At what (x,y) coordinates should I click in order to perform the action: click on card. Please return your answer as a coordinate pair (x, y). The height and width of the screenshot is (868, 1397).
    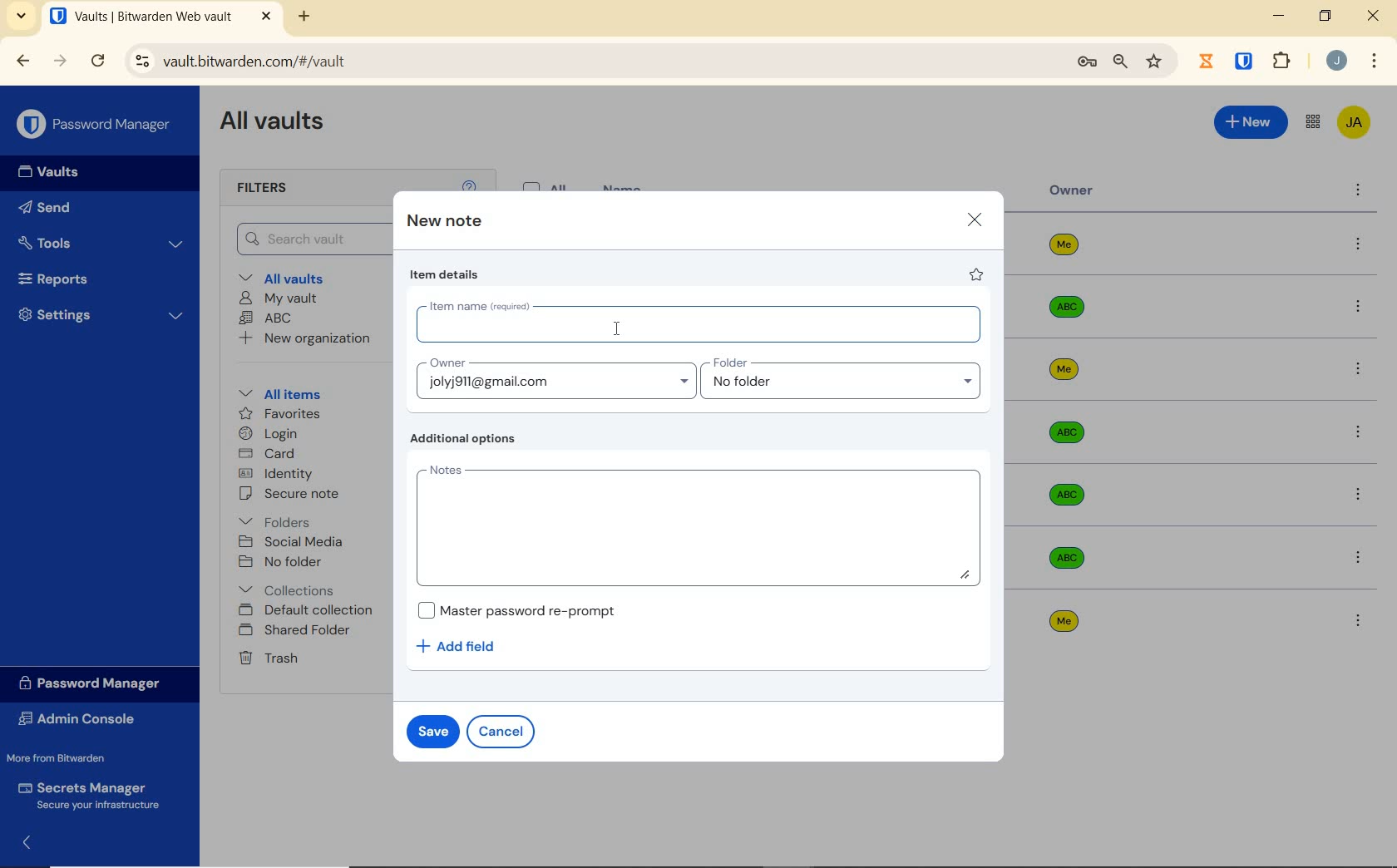
    Looking at the image, I should click on (269, 454).